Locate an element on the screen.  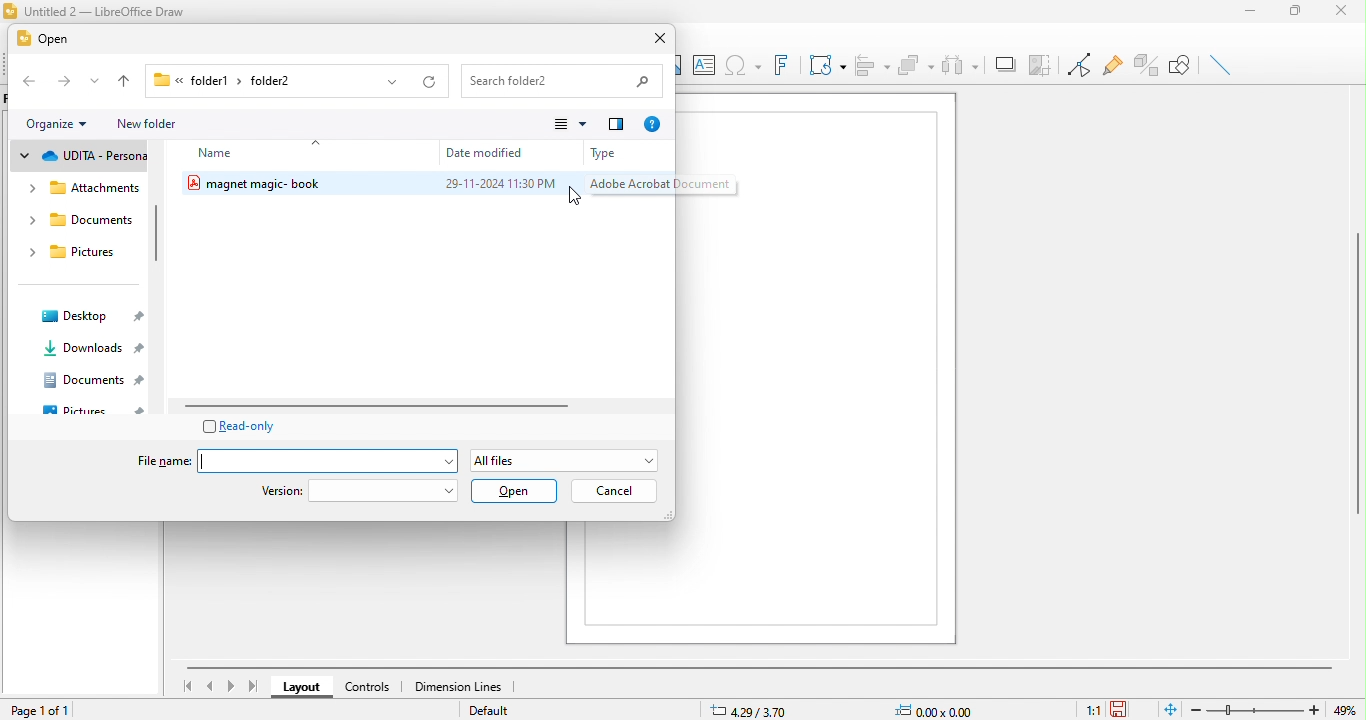
open is located at coordinates (515, 491).